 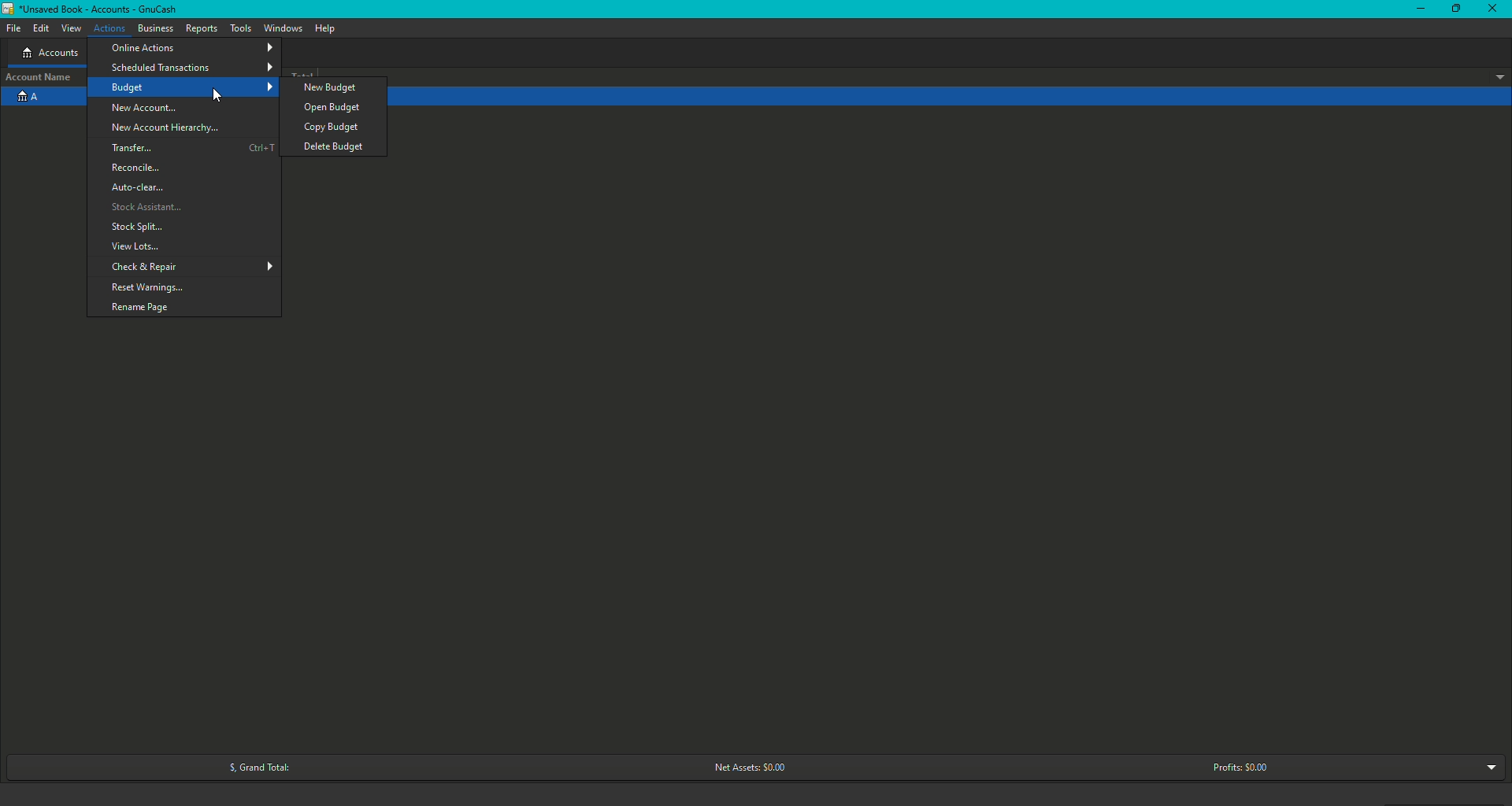 What do you see at coordinates (323, 28) in the screenshot?
I see `Help` at bounding box center [323, 28].